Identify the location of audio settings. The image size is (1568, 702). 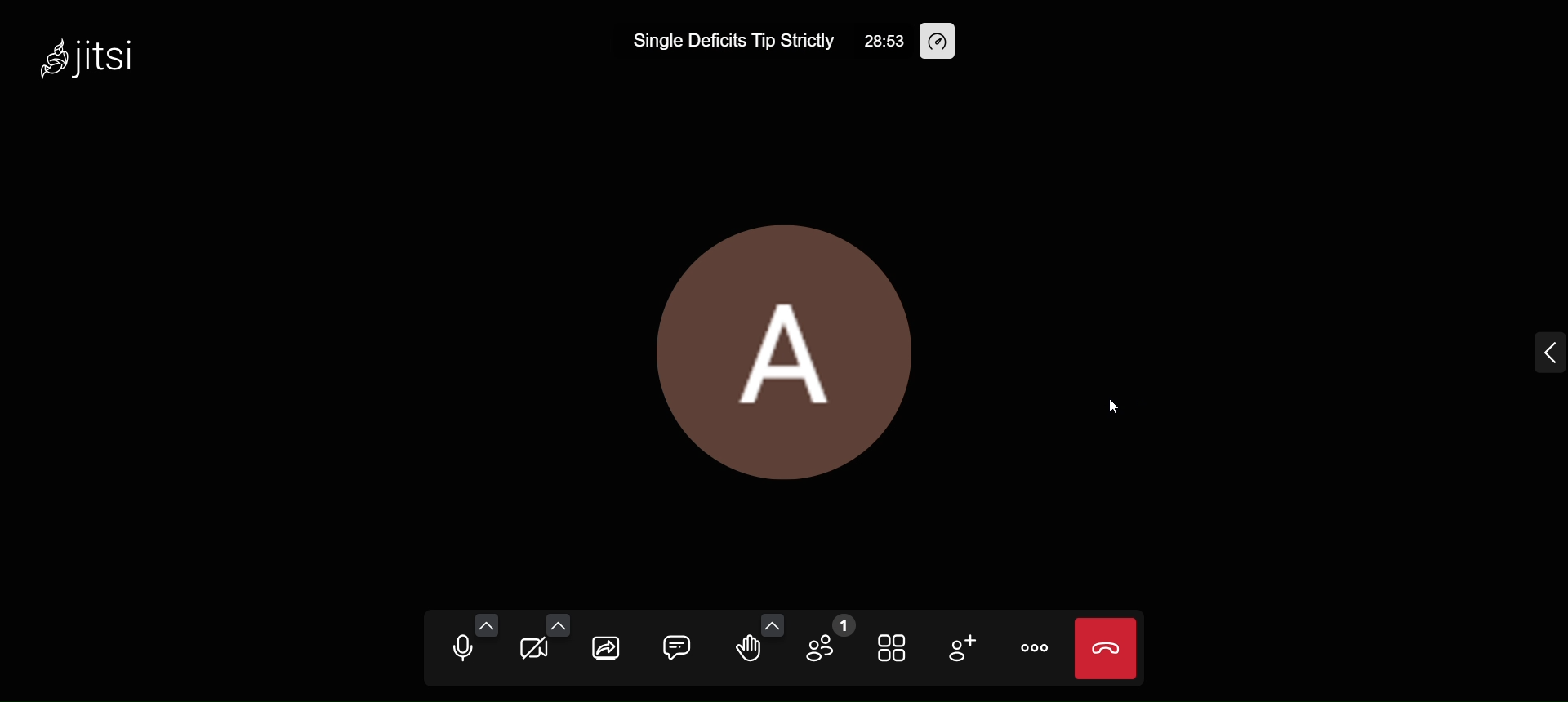
(485, 626).